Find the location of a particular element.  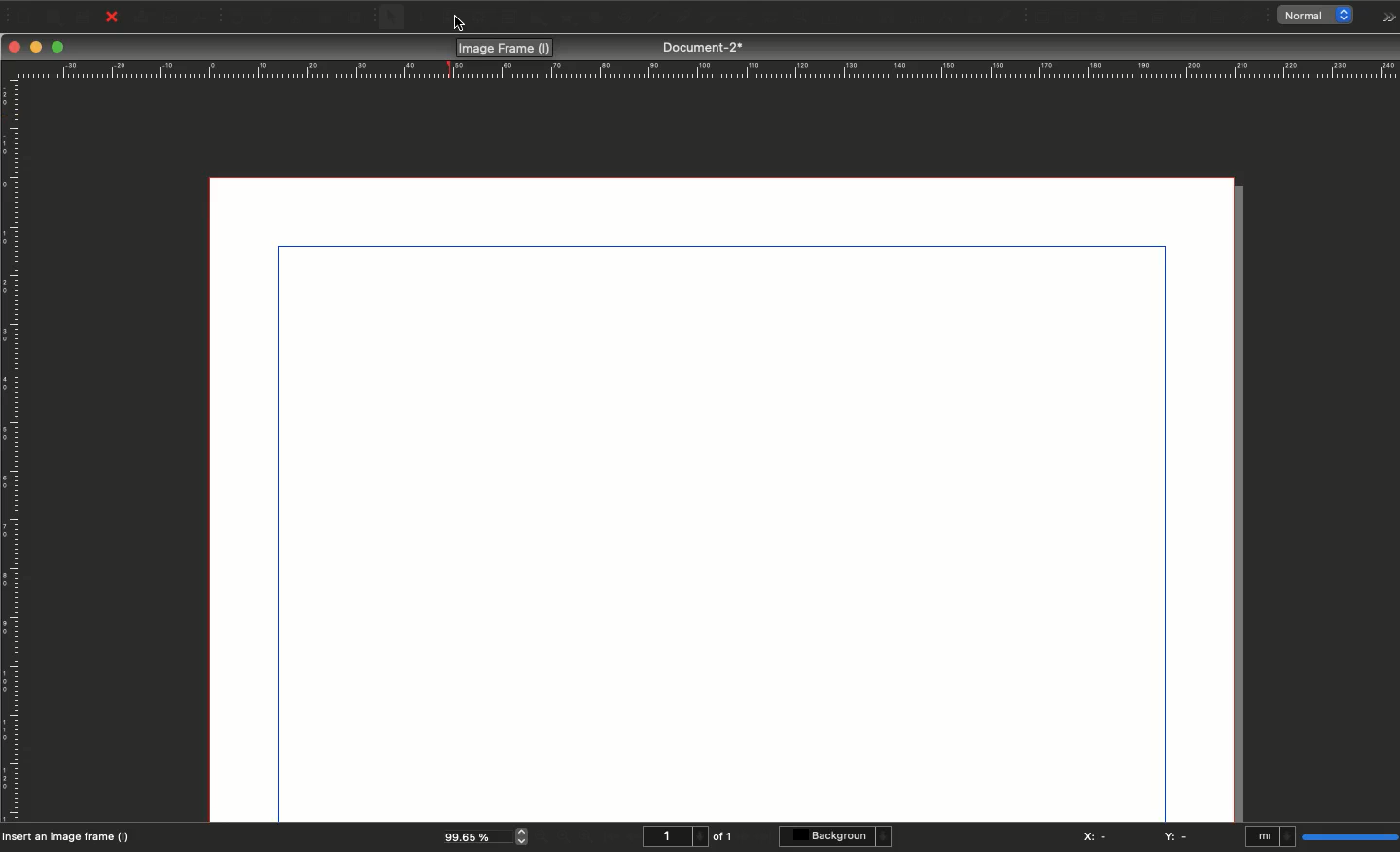

Paste is located at coordinates (361, 18).